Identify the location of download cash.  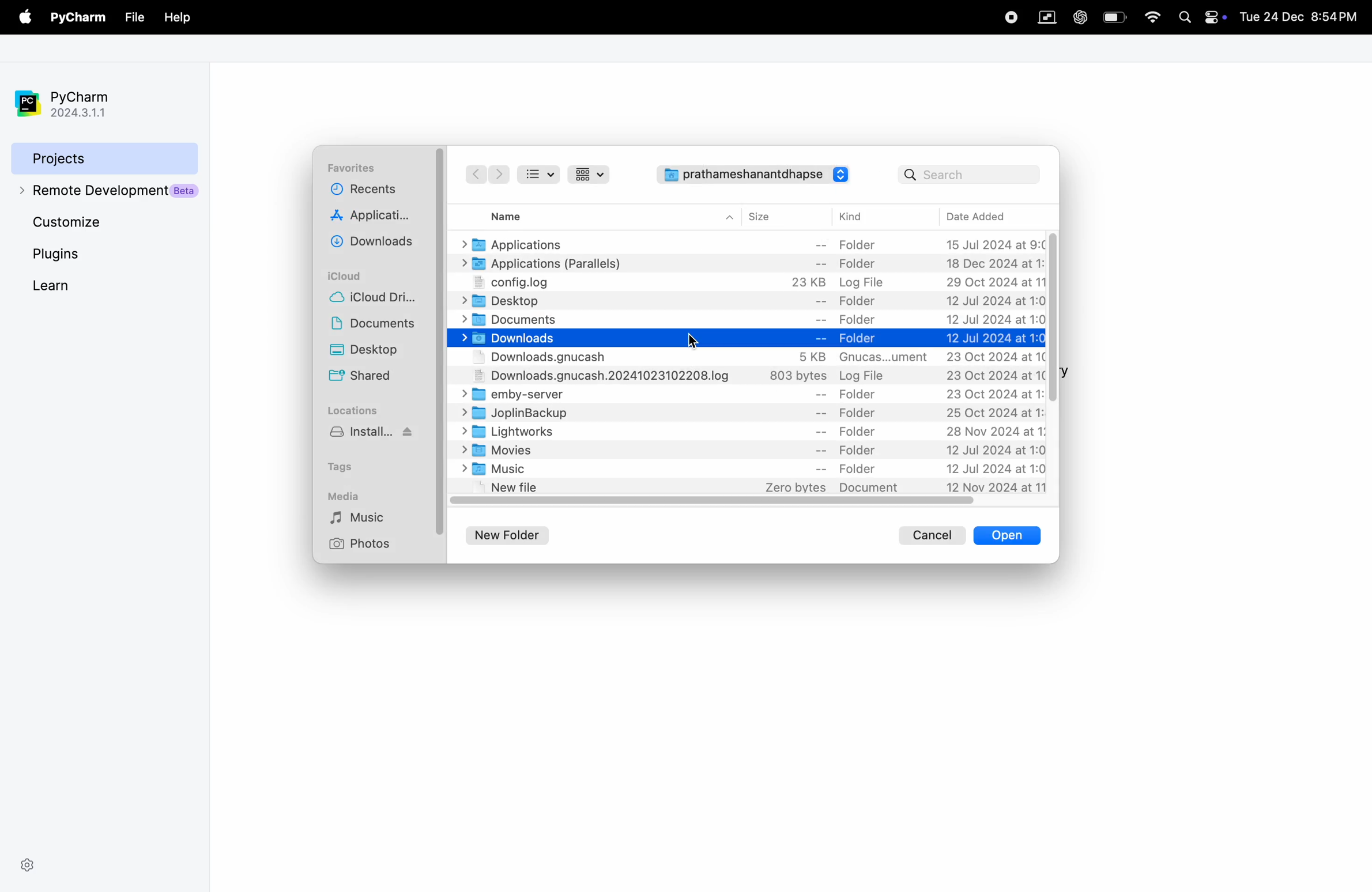
(752, 358).